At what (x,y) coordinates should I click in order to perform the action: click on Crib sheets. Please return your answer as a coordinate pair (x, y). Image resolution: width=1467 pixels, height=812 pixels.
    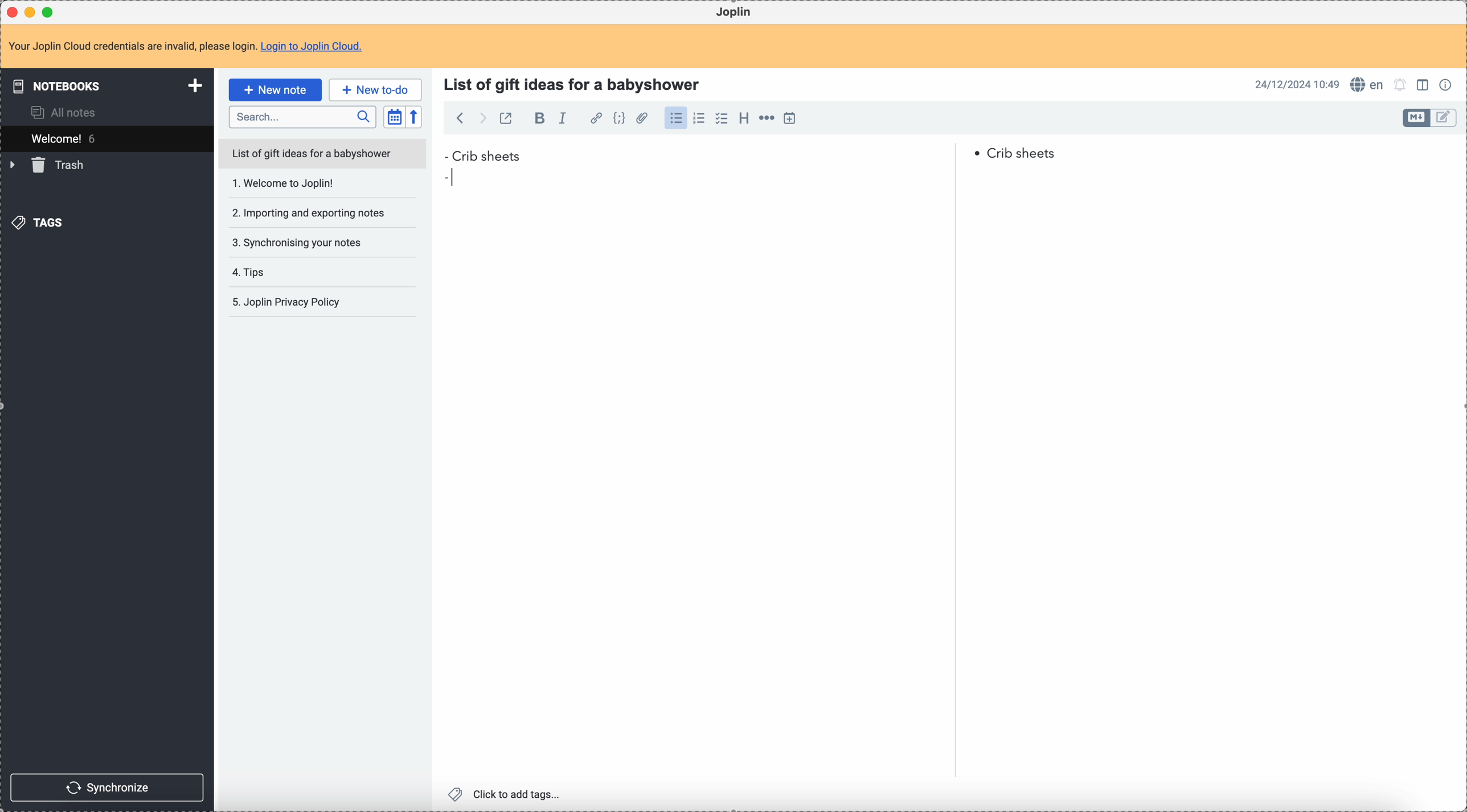
    Looking at the image, I should click on (757, 155).